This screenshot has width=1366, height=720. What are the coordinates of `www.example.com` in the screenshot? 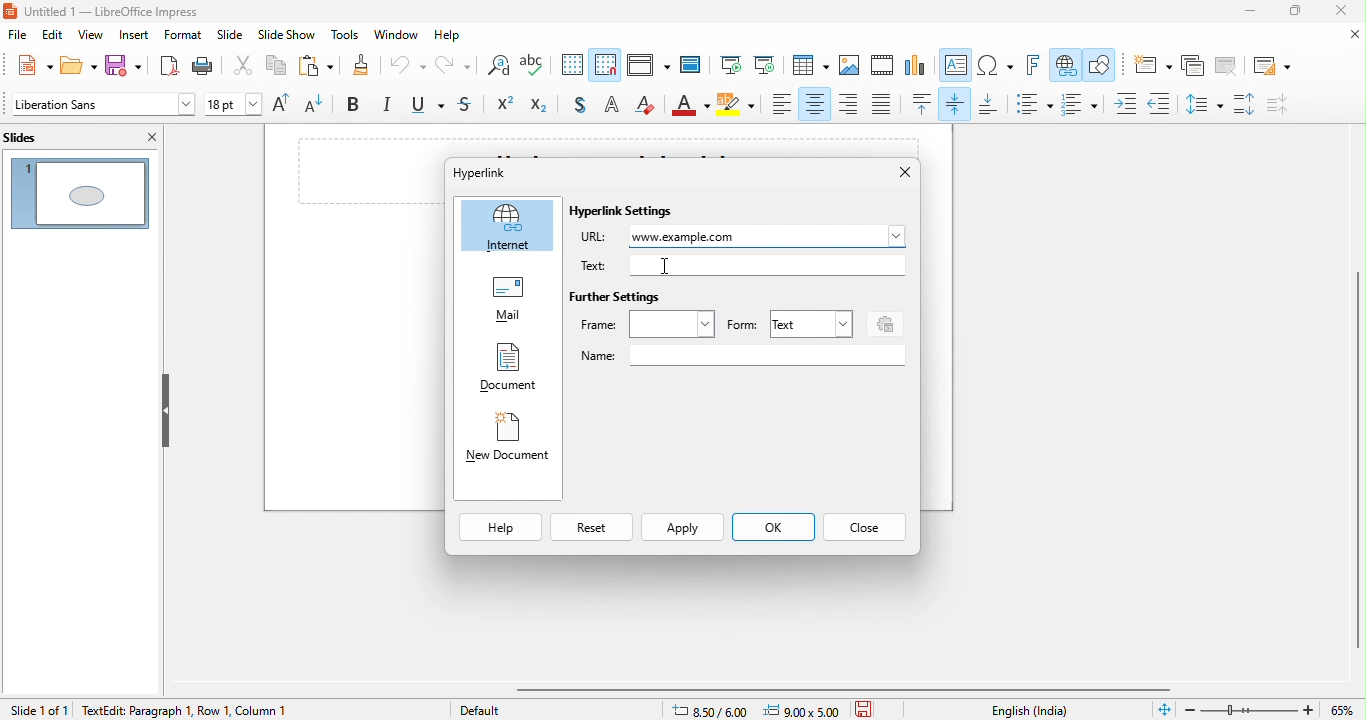 It's located at (770, 236).